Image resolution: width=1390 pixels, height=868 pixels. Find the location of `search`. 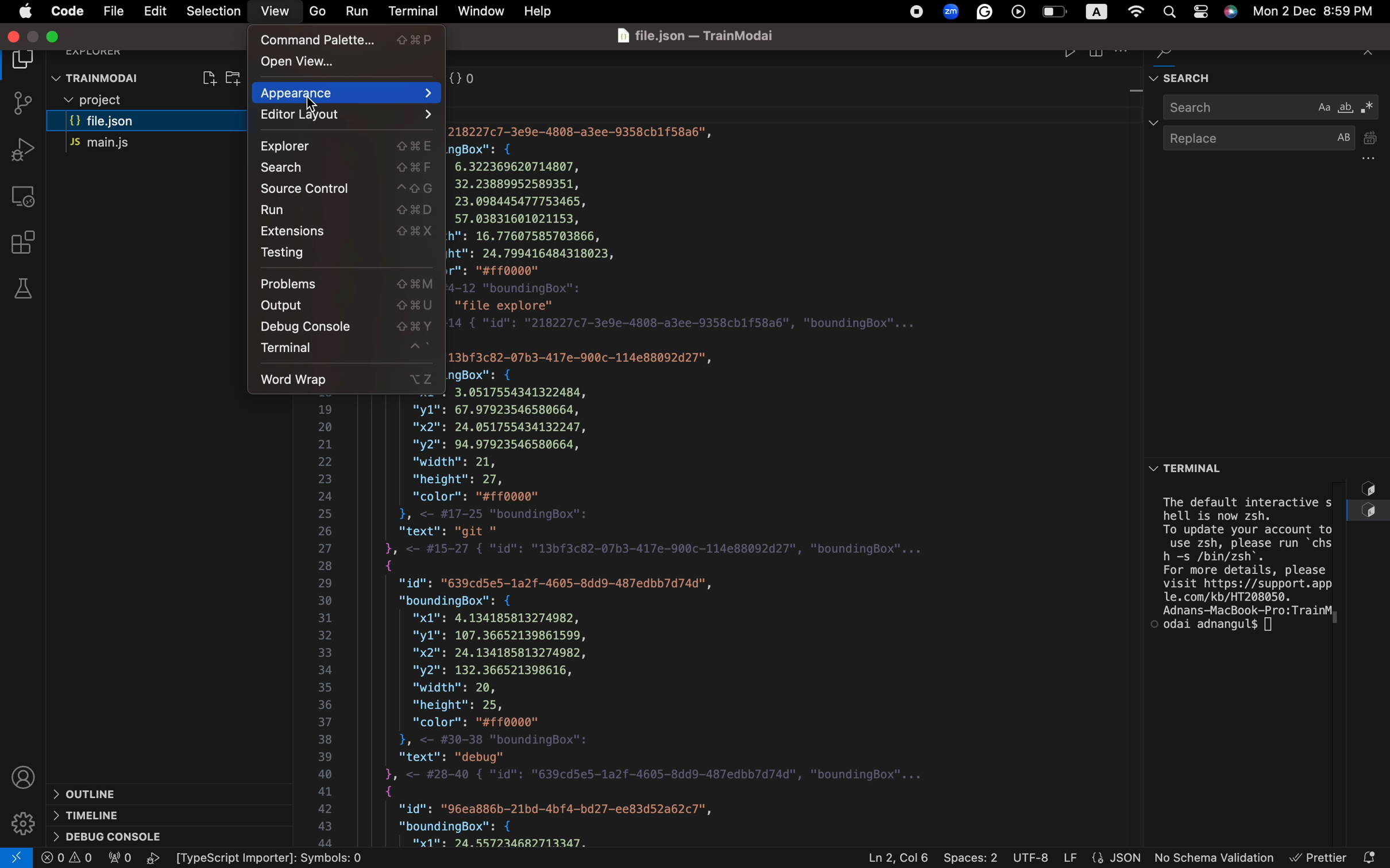

search is located at coordinates (348, 168).